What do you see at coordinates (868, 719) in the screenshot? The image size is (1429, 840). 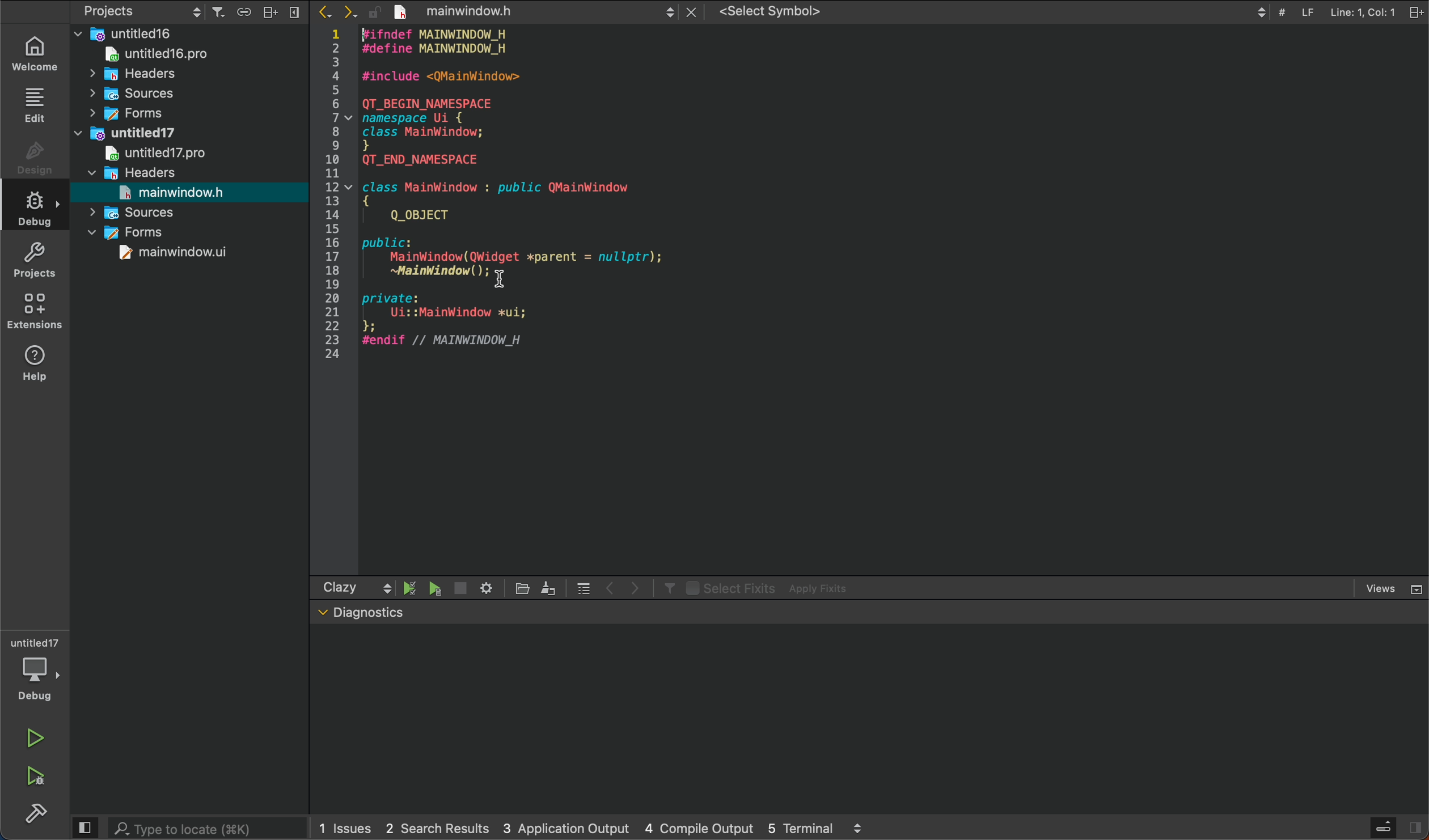 I see `terminal` at bounding box center [868, 719].